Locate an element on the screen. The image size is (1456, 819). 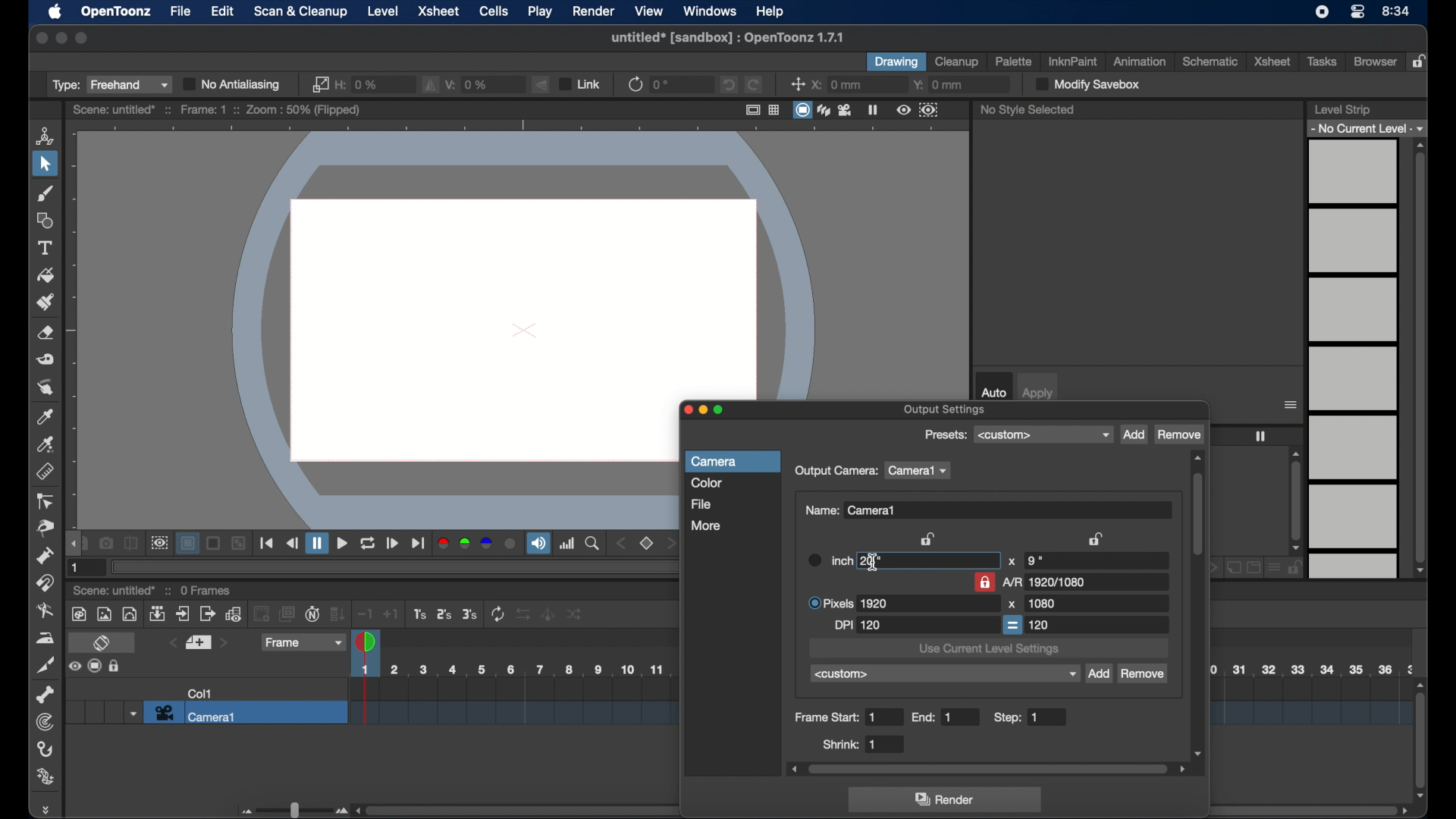
scene scale is located at coordinates (1312, 668).